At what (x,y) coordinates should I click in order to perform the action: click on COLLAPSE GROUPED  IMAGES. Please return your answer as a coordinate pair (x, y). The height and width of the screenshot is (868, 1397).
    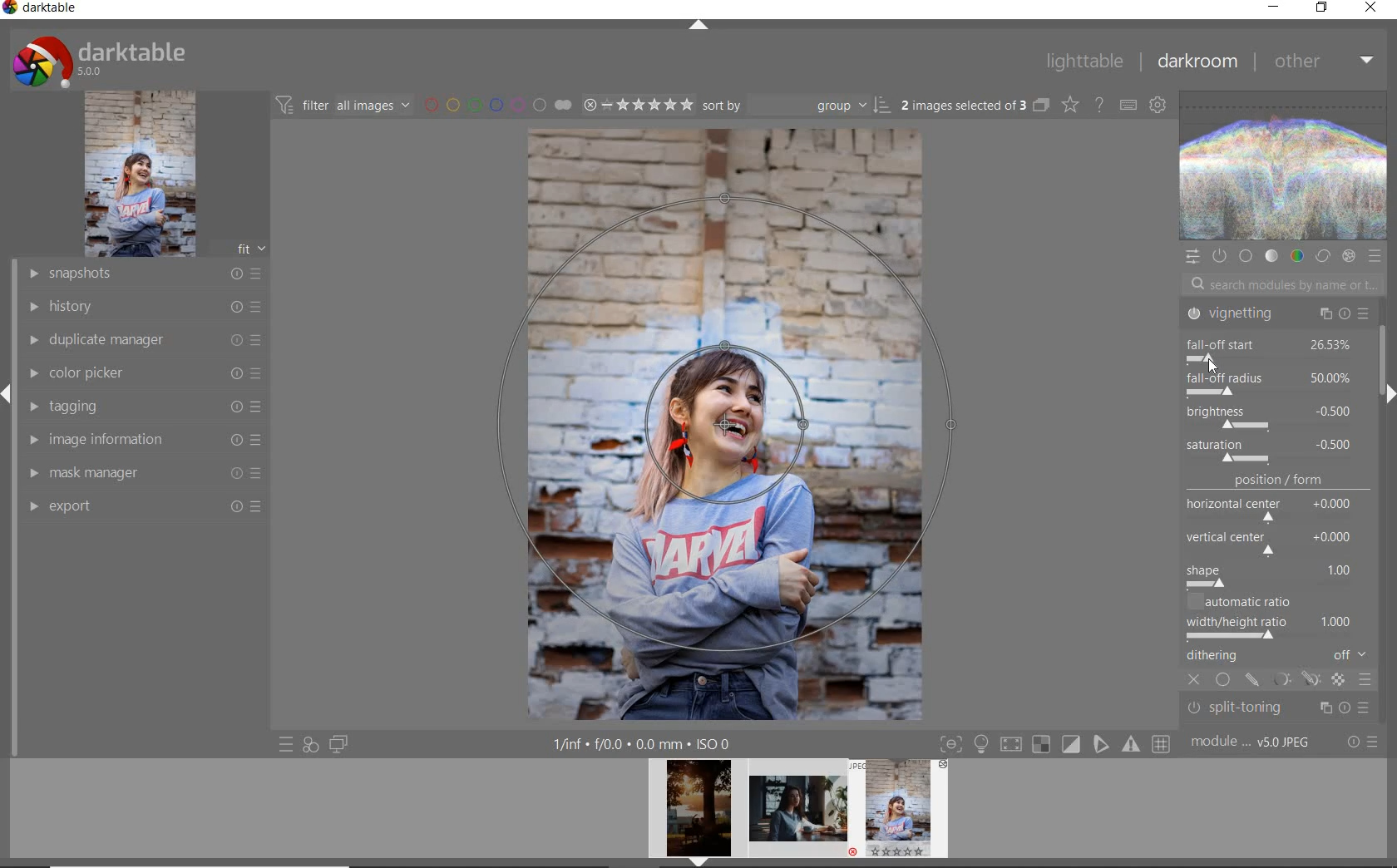
    Looking at the image, I should click on (1041, 104).